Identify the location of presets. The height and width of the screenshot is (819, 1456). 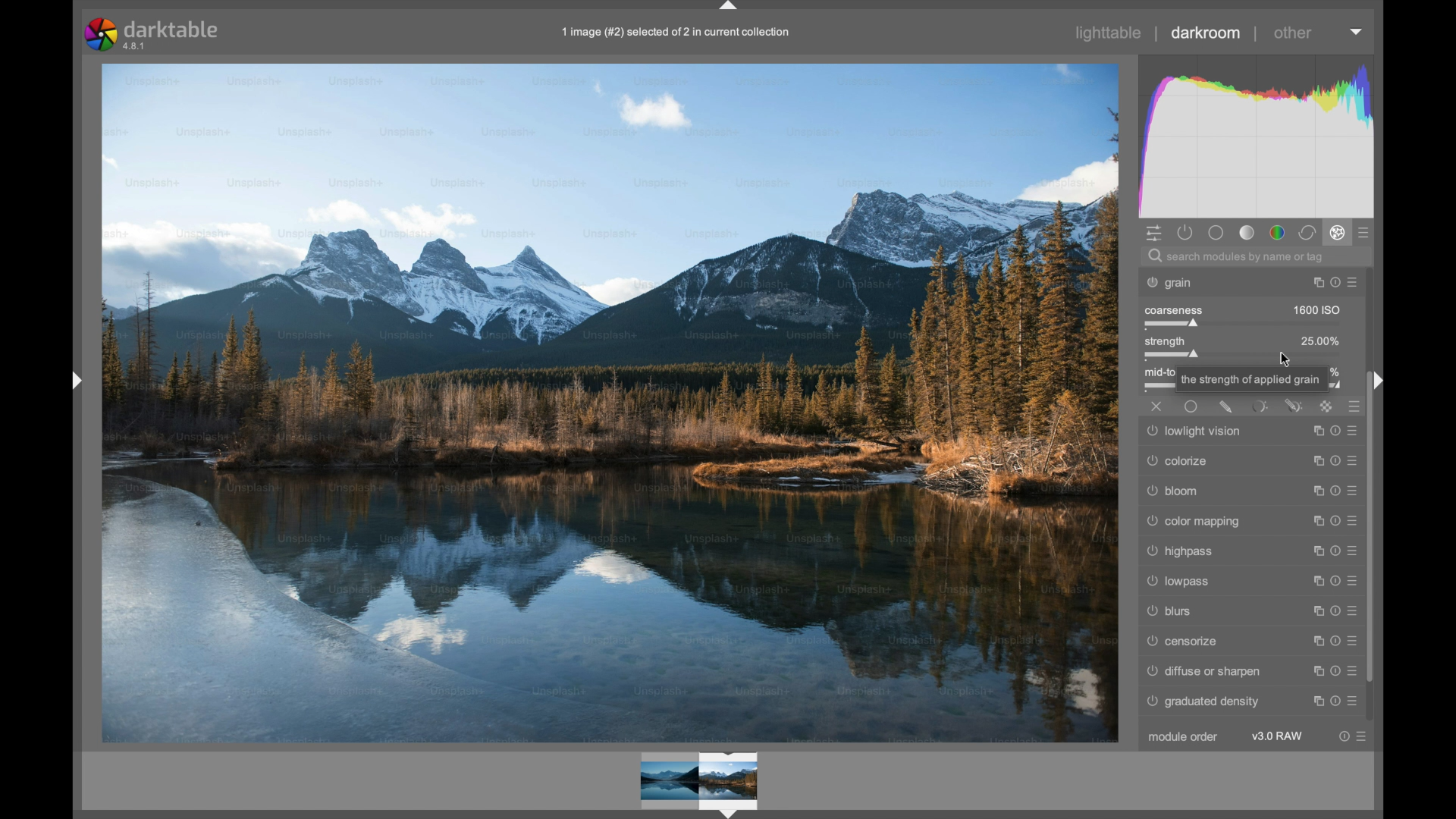
(1356, 672).